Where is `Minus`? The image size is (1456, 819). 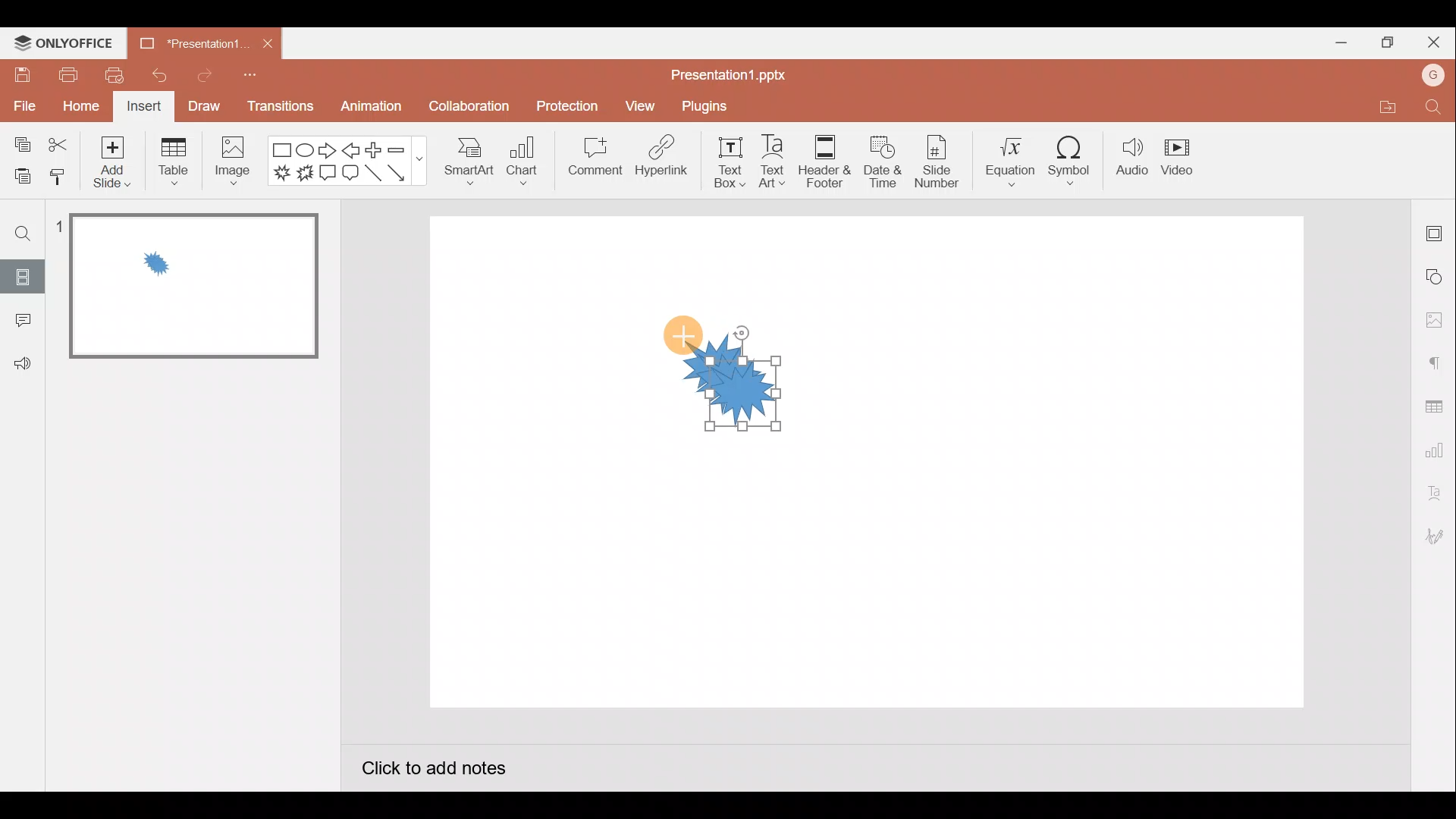
Minus is located at coordinates (400, 148).